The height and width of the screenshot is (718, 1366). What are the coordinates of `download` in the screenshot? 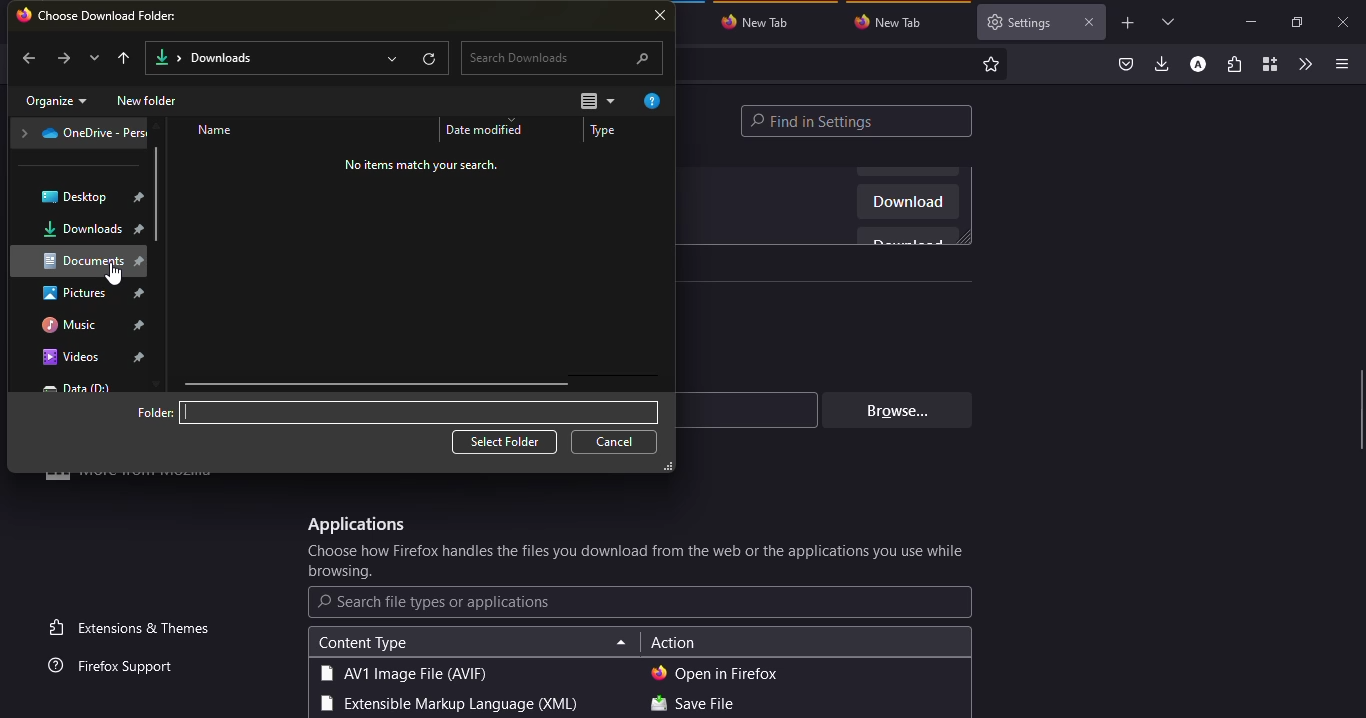 It's located at (908, 204).